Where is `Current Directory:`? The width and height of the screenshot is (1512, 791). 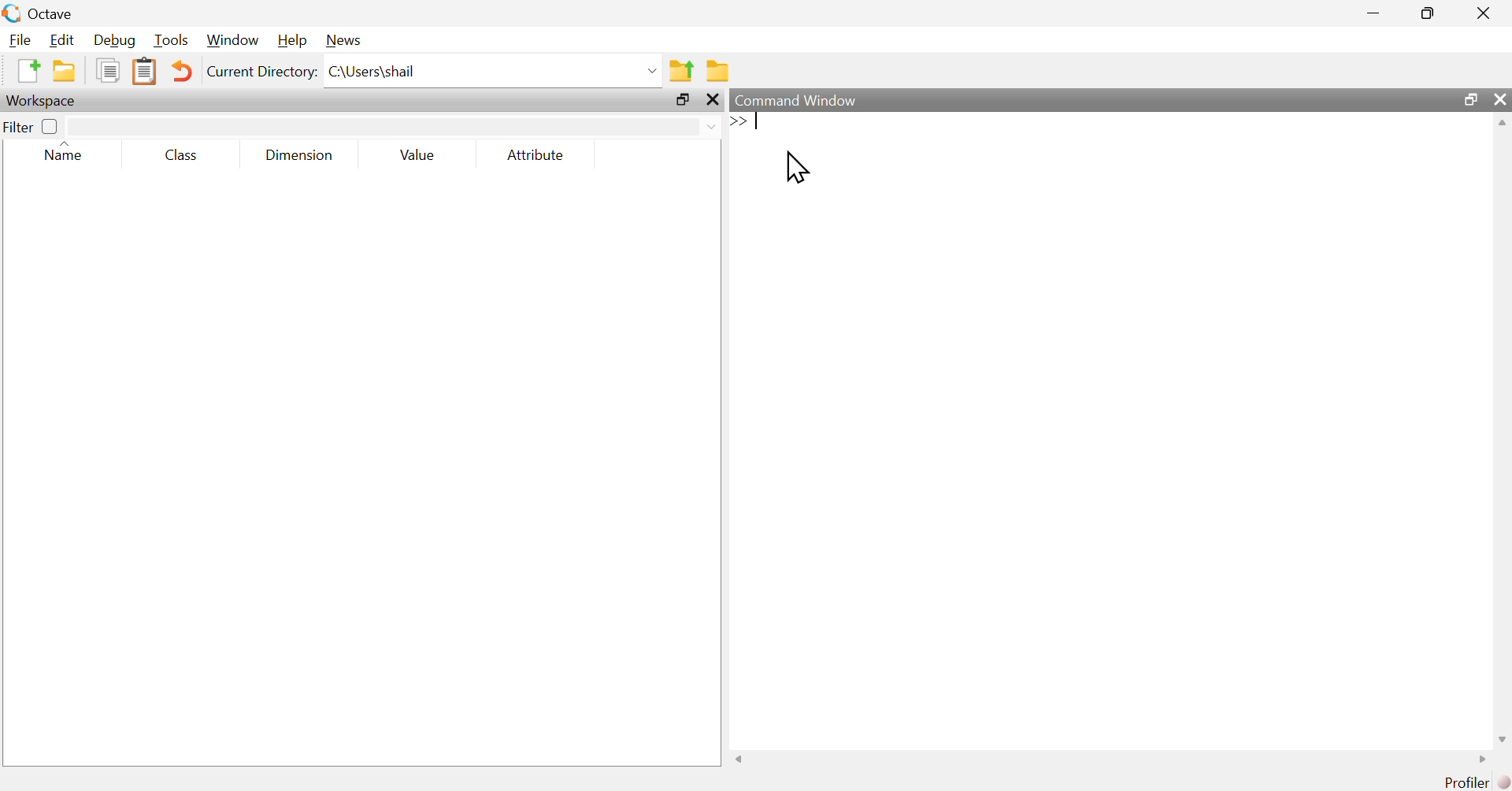 Current Directory: is located at coordinates (261, 73).